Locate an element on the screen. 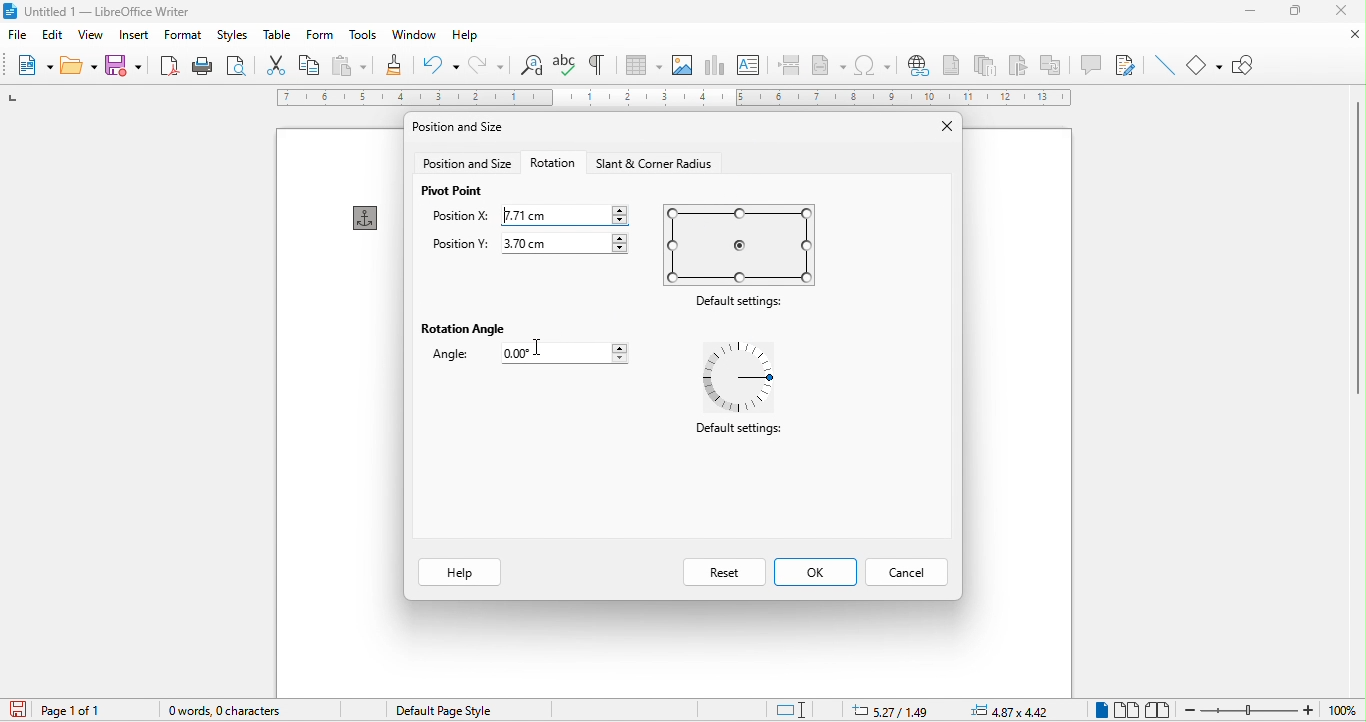 This screenshot has width=1366, height=722. basic shapes is located at coordinates (1206, 64).